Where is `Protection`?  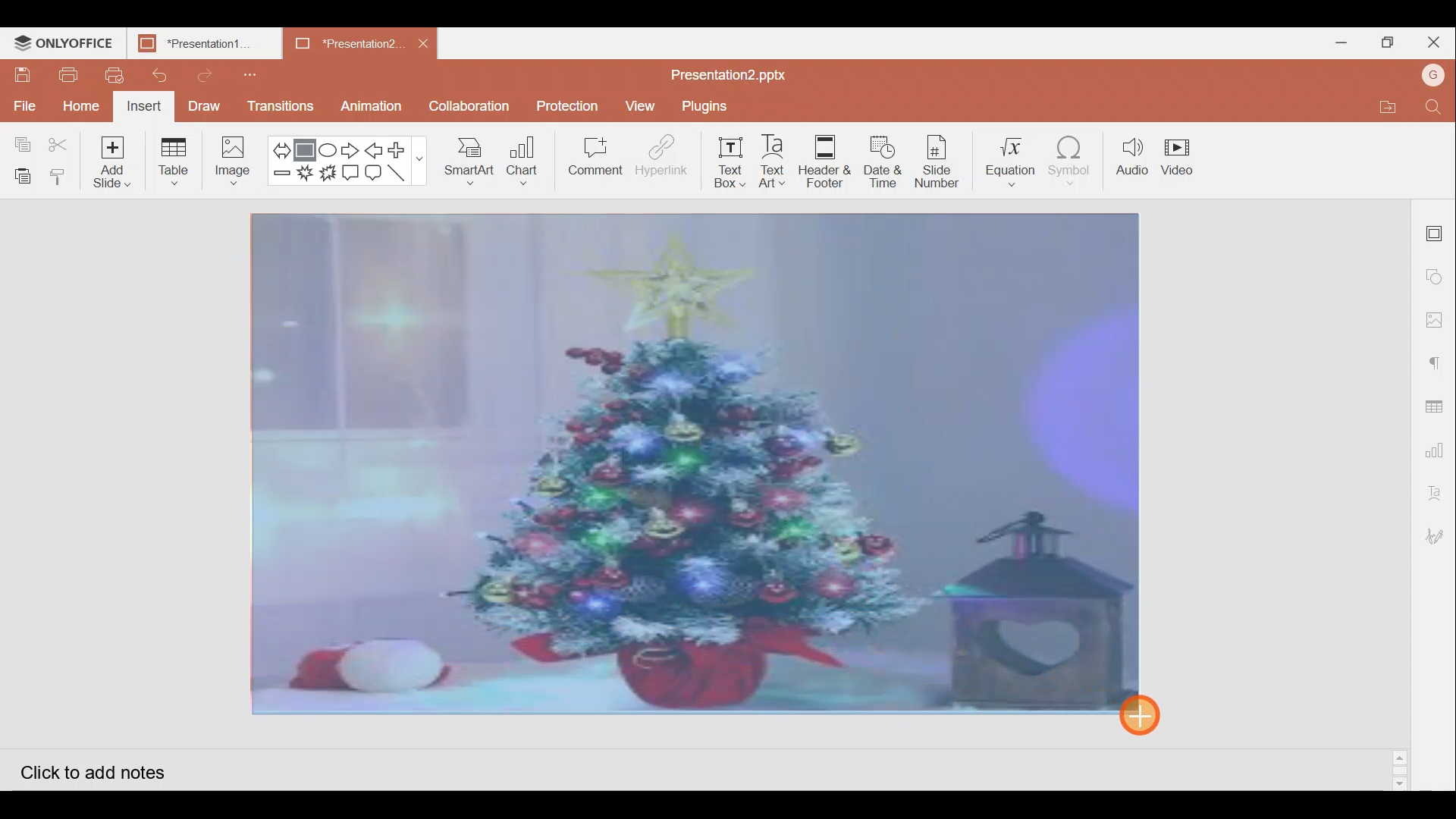
Protection is located at coordinates (563, 105).